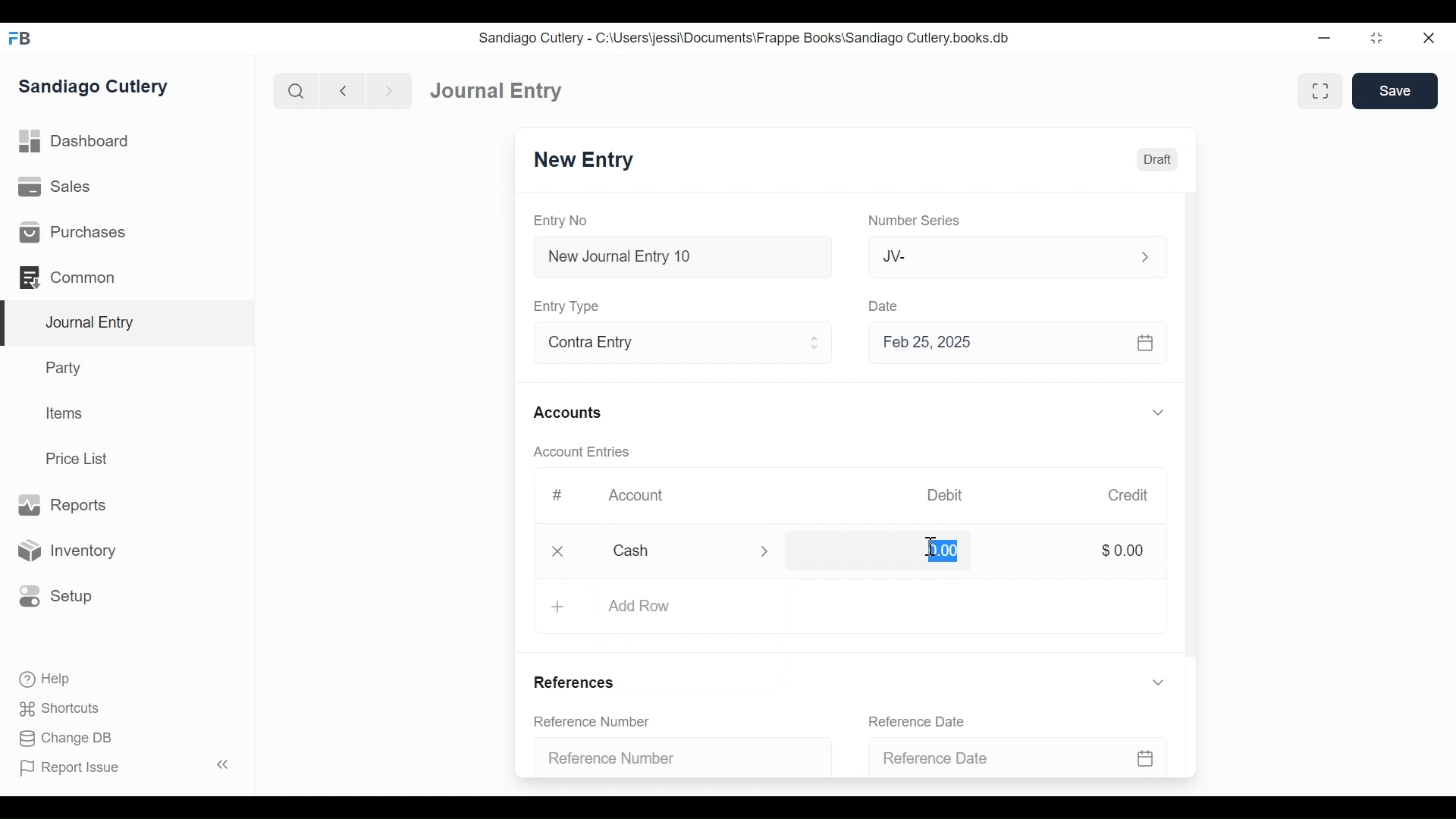 The width and height of the screenshot is (1456, 819). Describe the element at coordinates (588, 162) in the screenshot. I see `New Entry` at that location.